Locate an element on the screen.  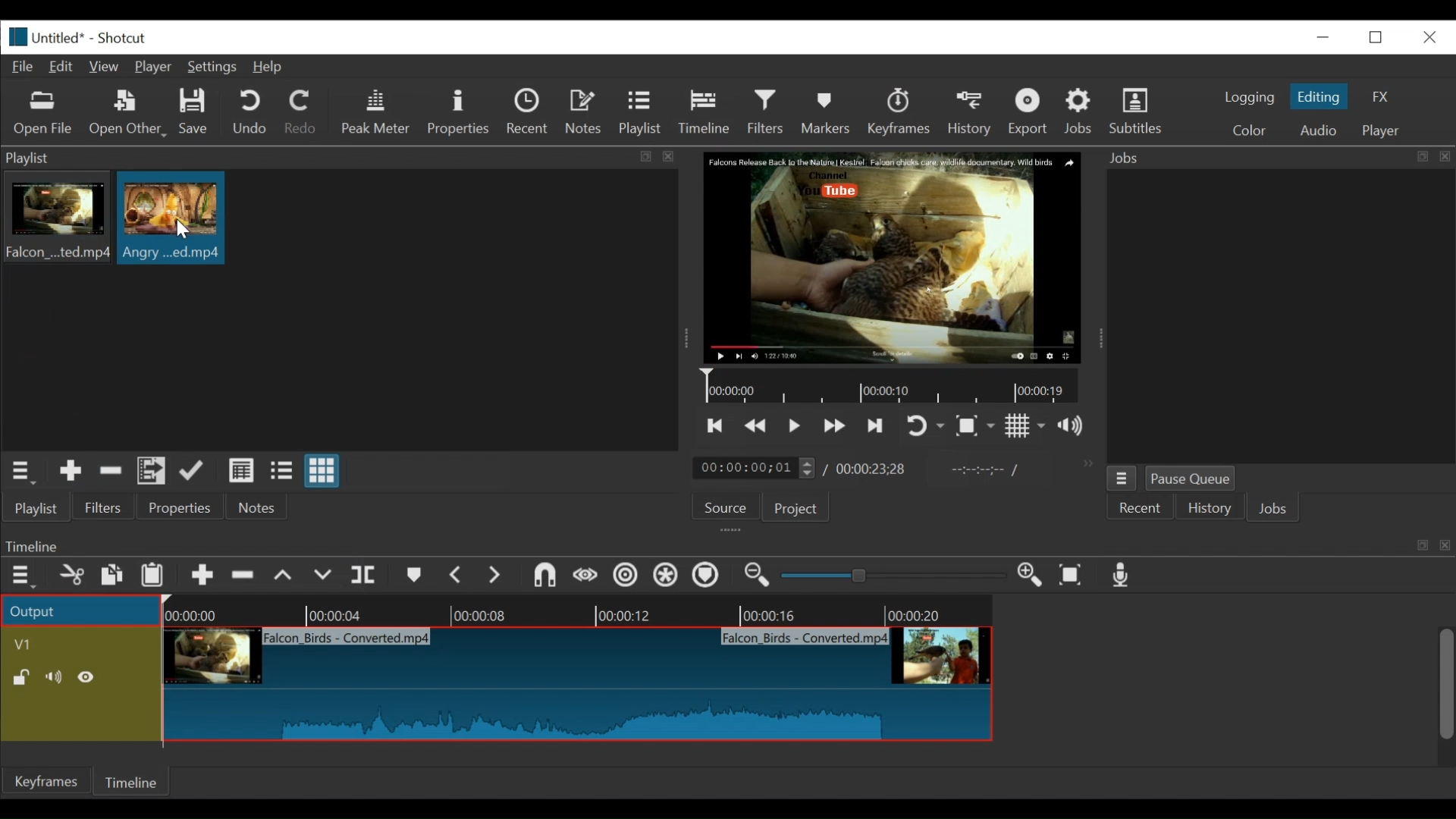
Filters is located at coordinates (770, 112).